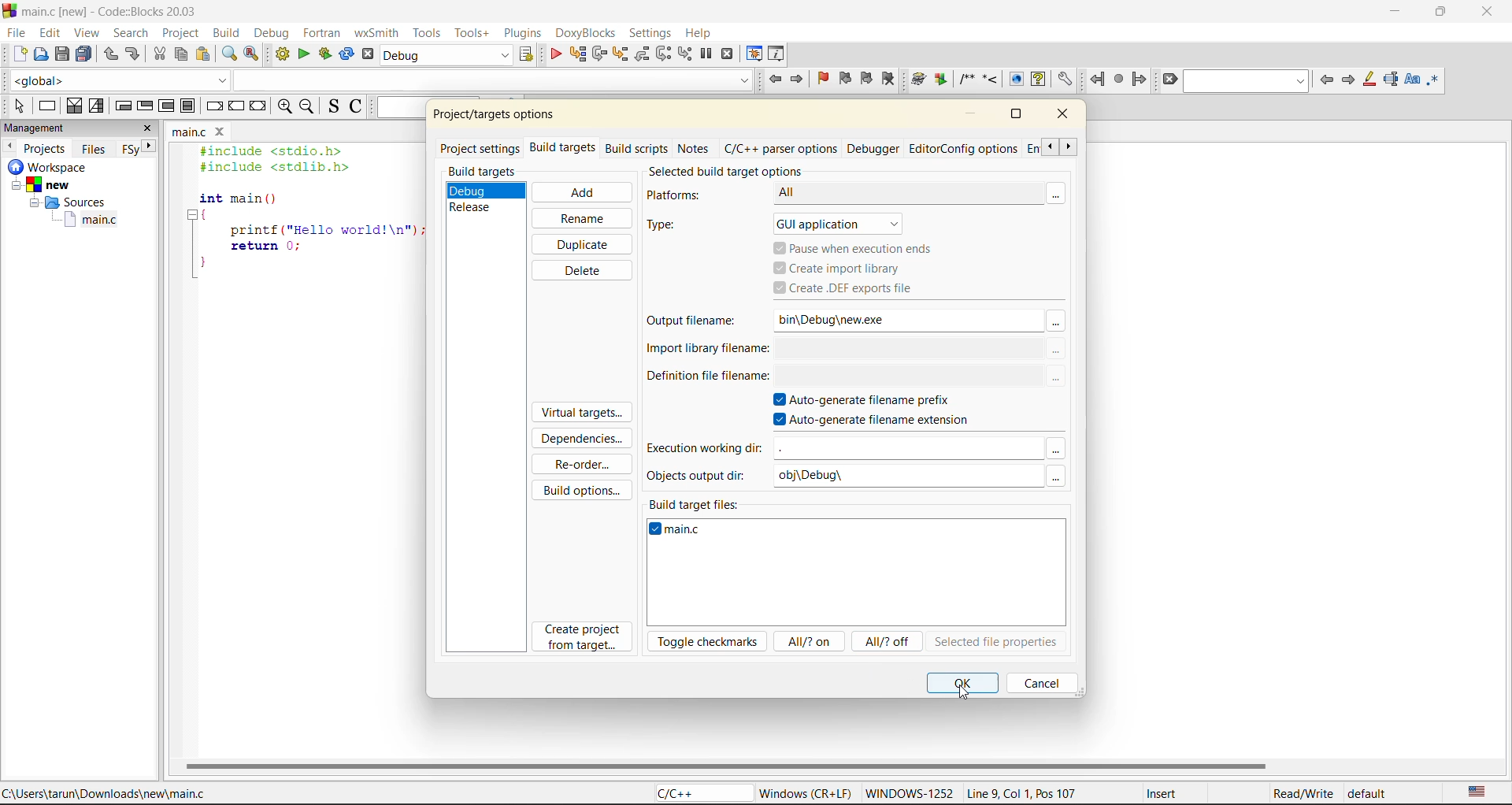  I want to click on Line 9, Col 1, Pos 107, so click(1044, 792).